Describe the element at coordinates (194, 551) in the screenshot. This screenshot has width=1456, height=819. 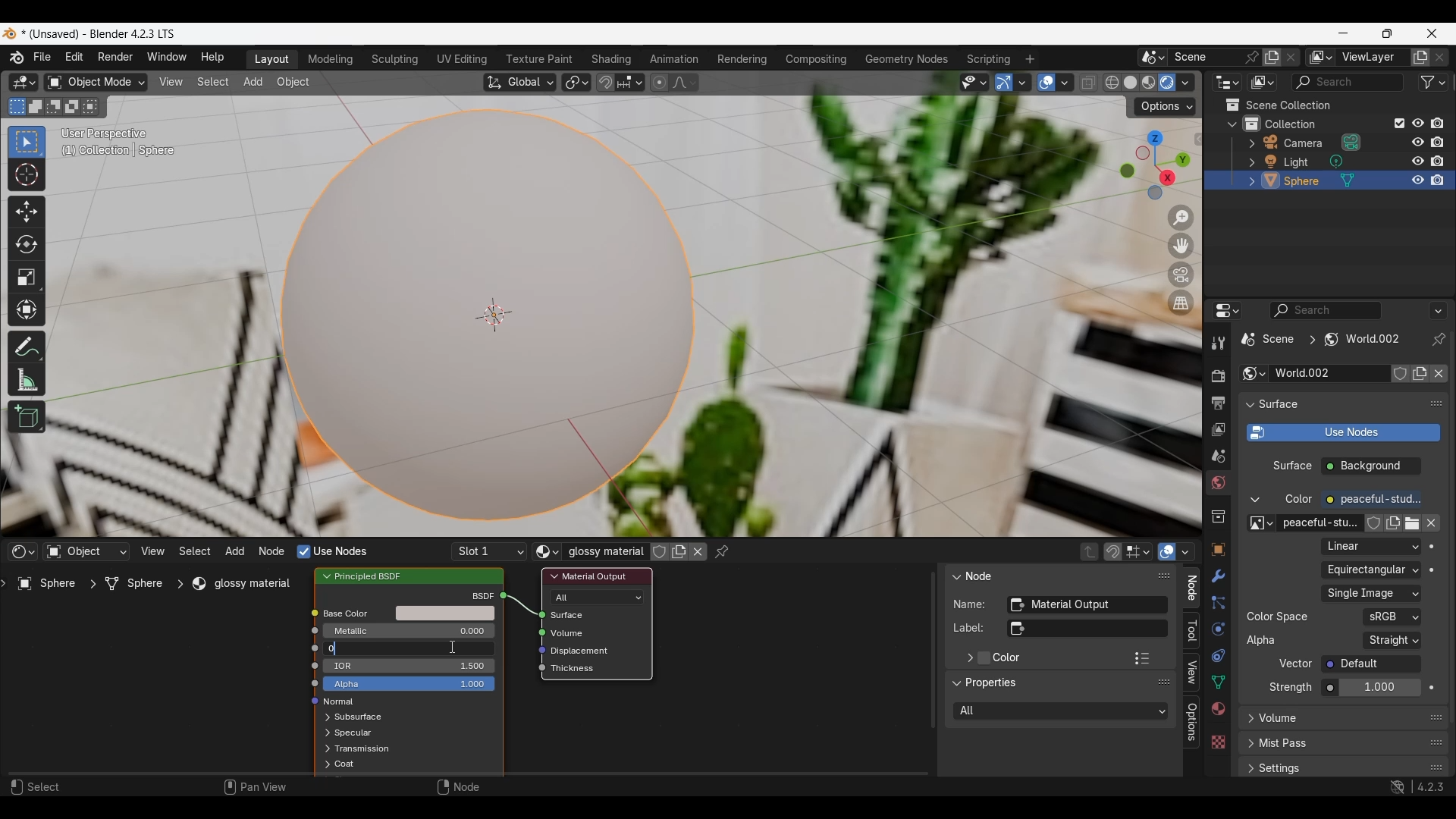
I see `Select menu` at that location.